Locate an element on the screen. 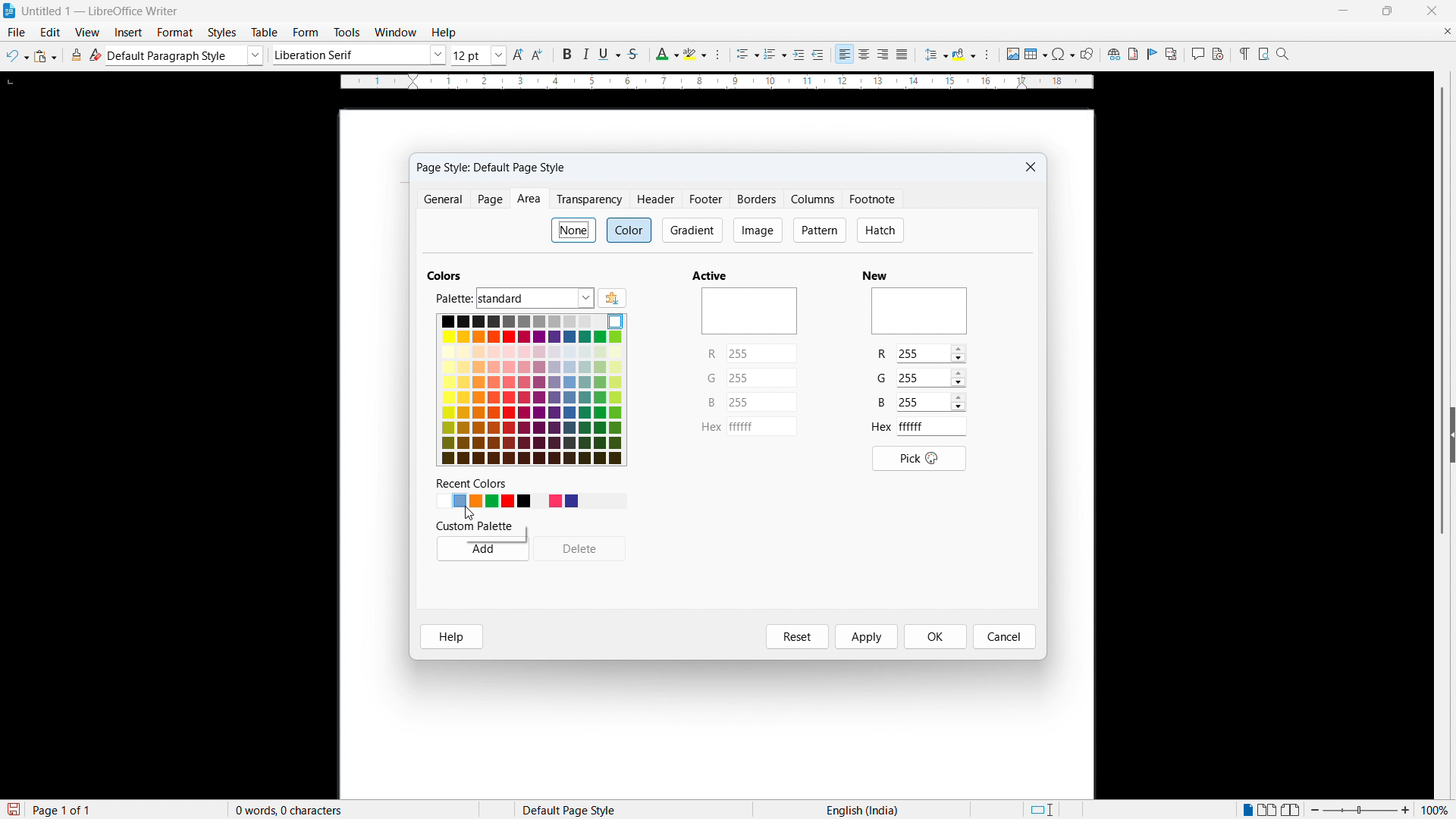 The image size is (1456, 819). G is located at coordinates (882, 378).